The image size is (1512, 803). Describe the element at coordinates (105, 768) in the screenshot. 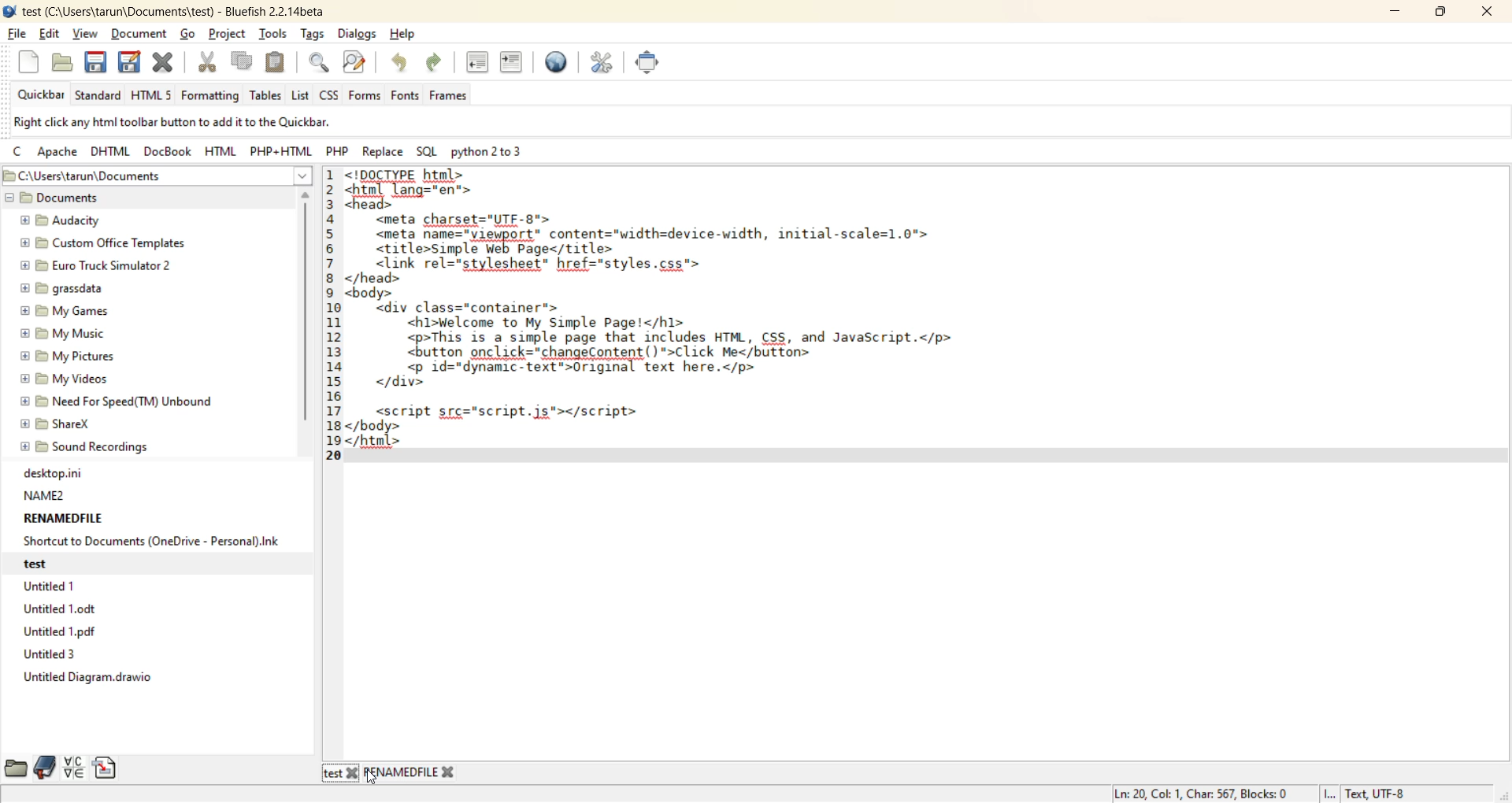

I see `snippets` at that location.